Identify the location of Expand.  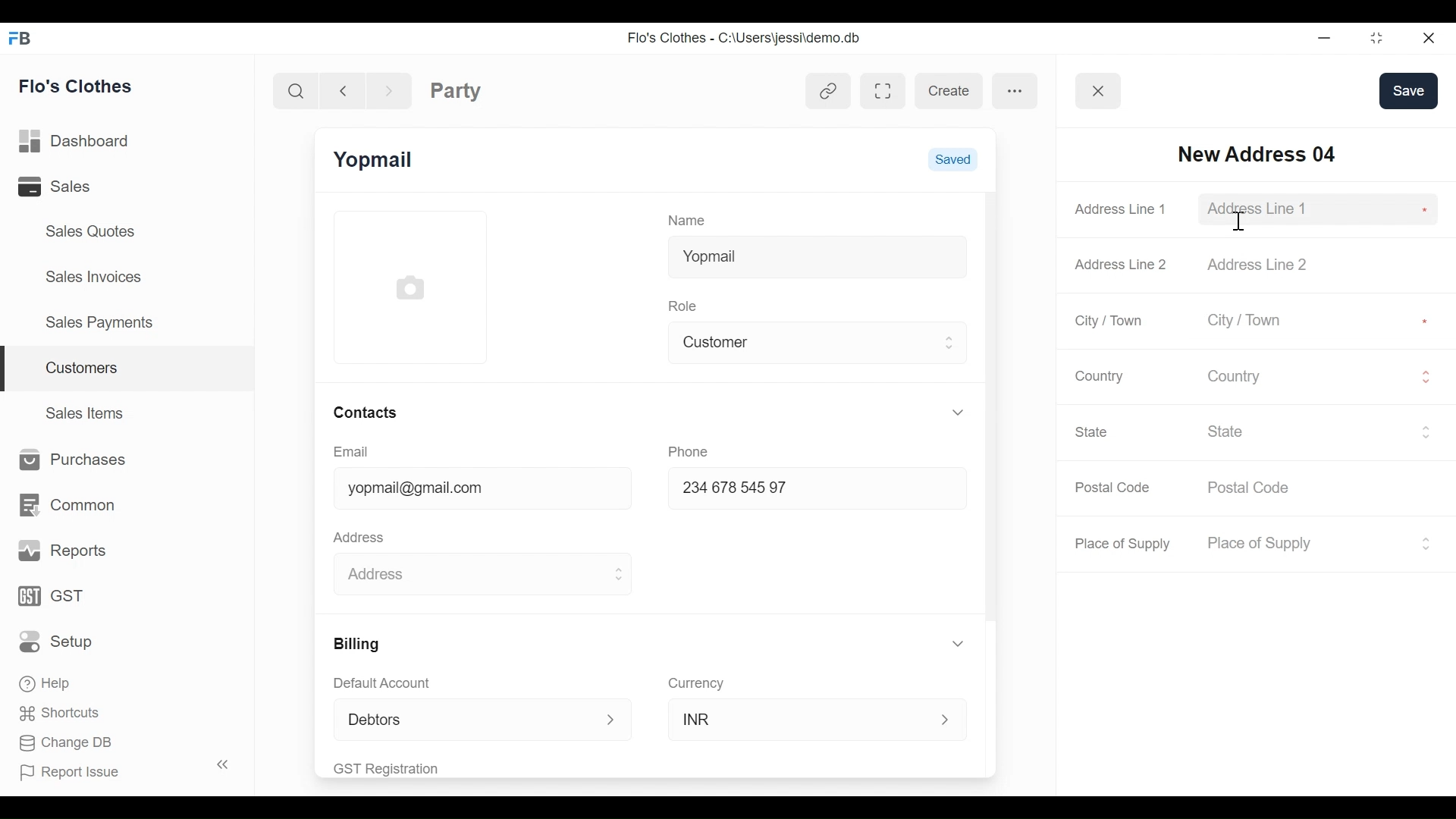
(612, 720).